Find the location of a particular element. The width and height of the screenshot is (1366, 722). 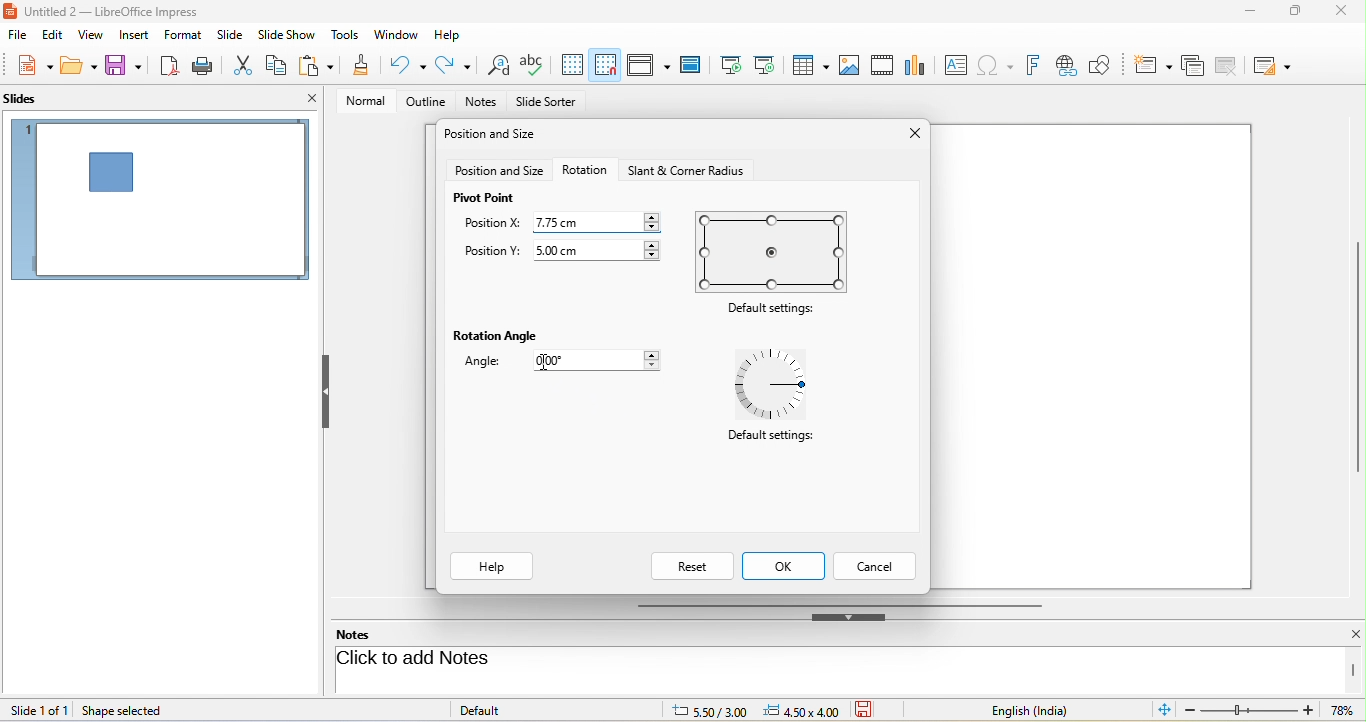

image is located at coordinates (850, 64).